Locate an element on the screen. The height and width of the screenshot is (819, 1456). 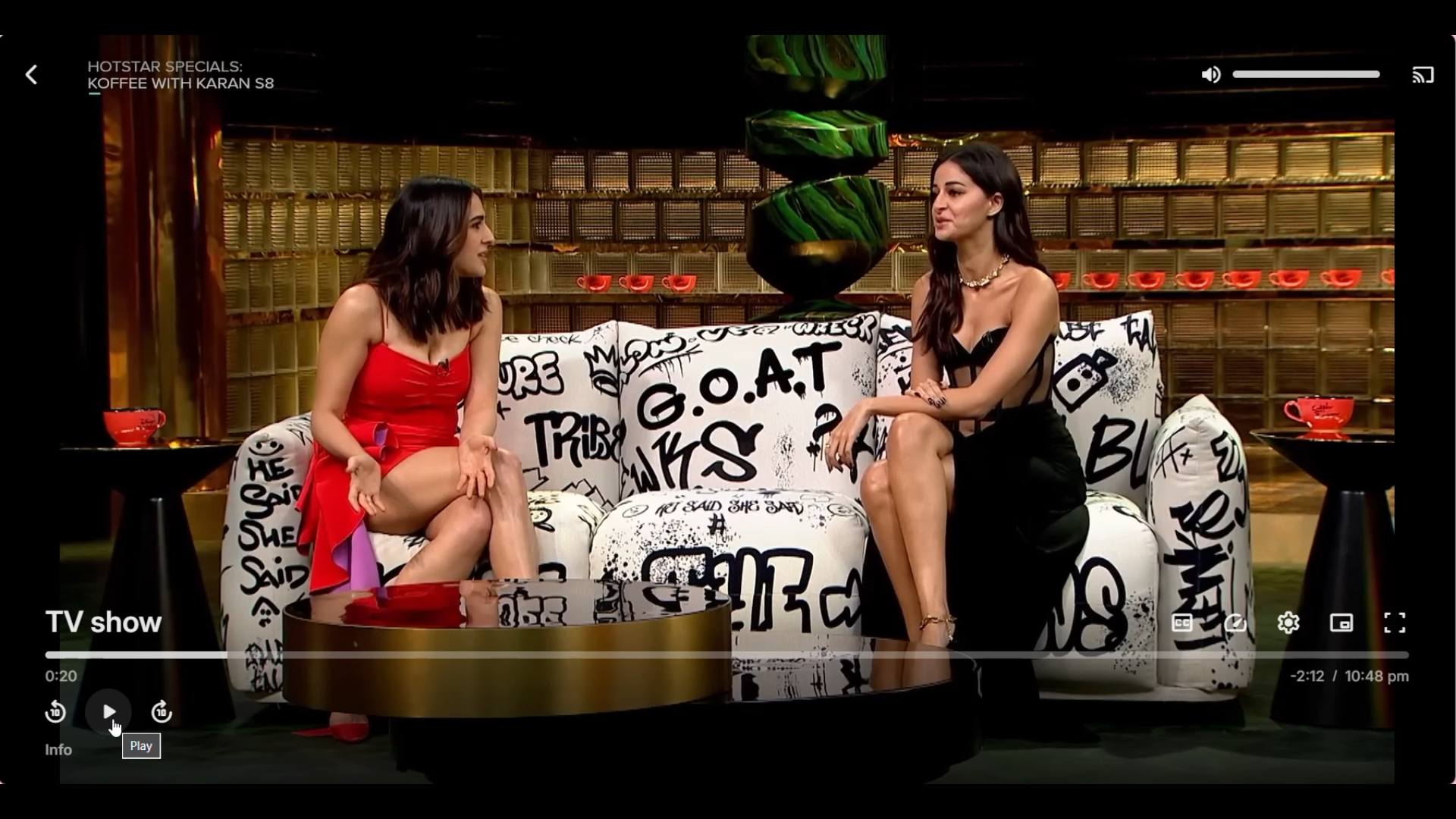
Settings is located at coordinates (1288, 623).